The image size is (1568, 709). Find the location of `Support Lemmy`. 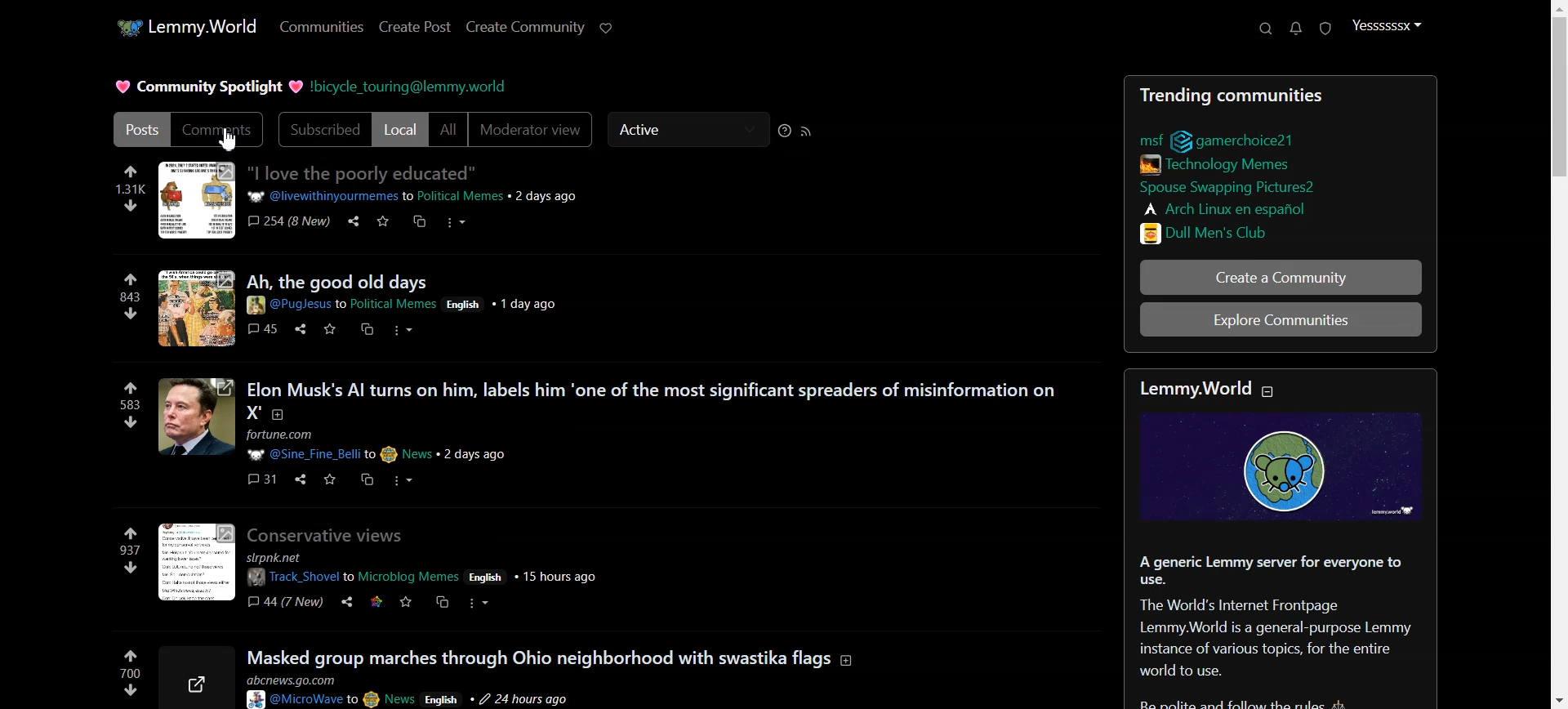

Support Lemmy is located at coordinates (607, 27).